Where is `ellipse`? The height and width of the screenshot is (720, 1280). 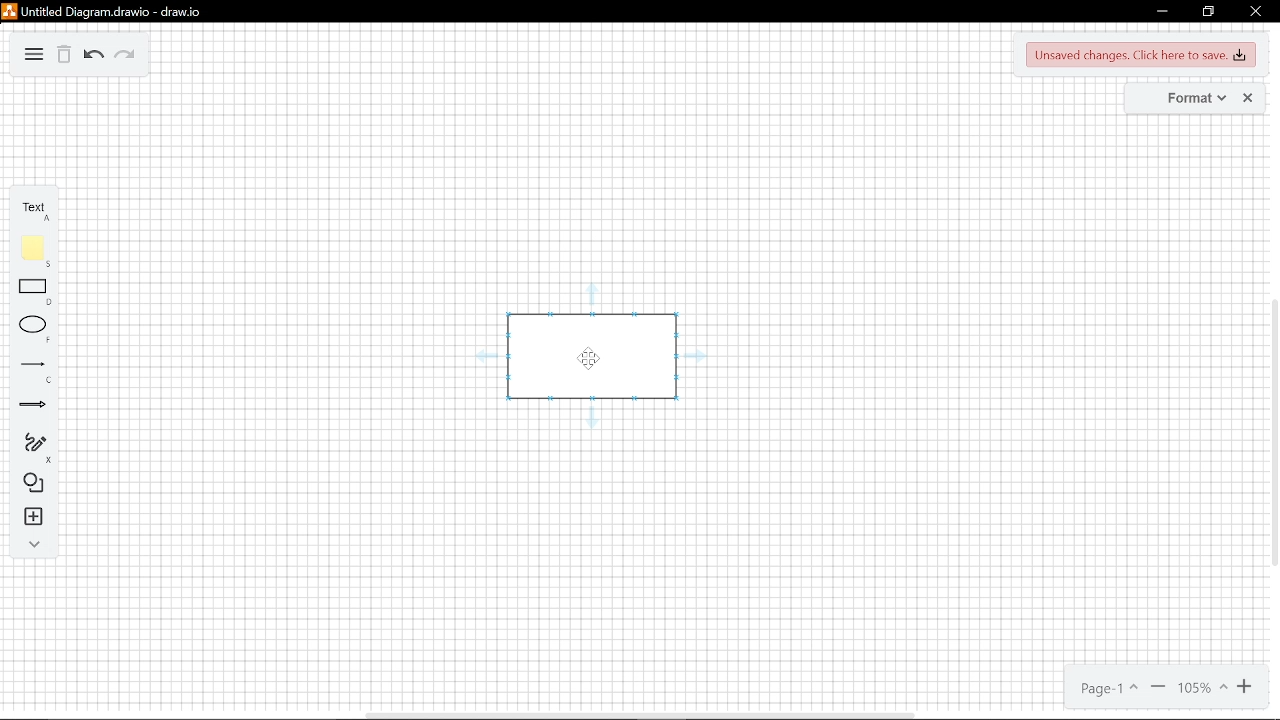 ellipse is located at coordinates (37, 330).